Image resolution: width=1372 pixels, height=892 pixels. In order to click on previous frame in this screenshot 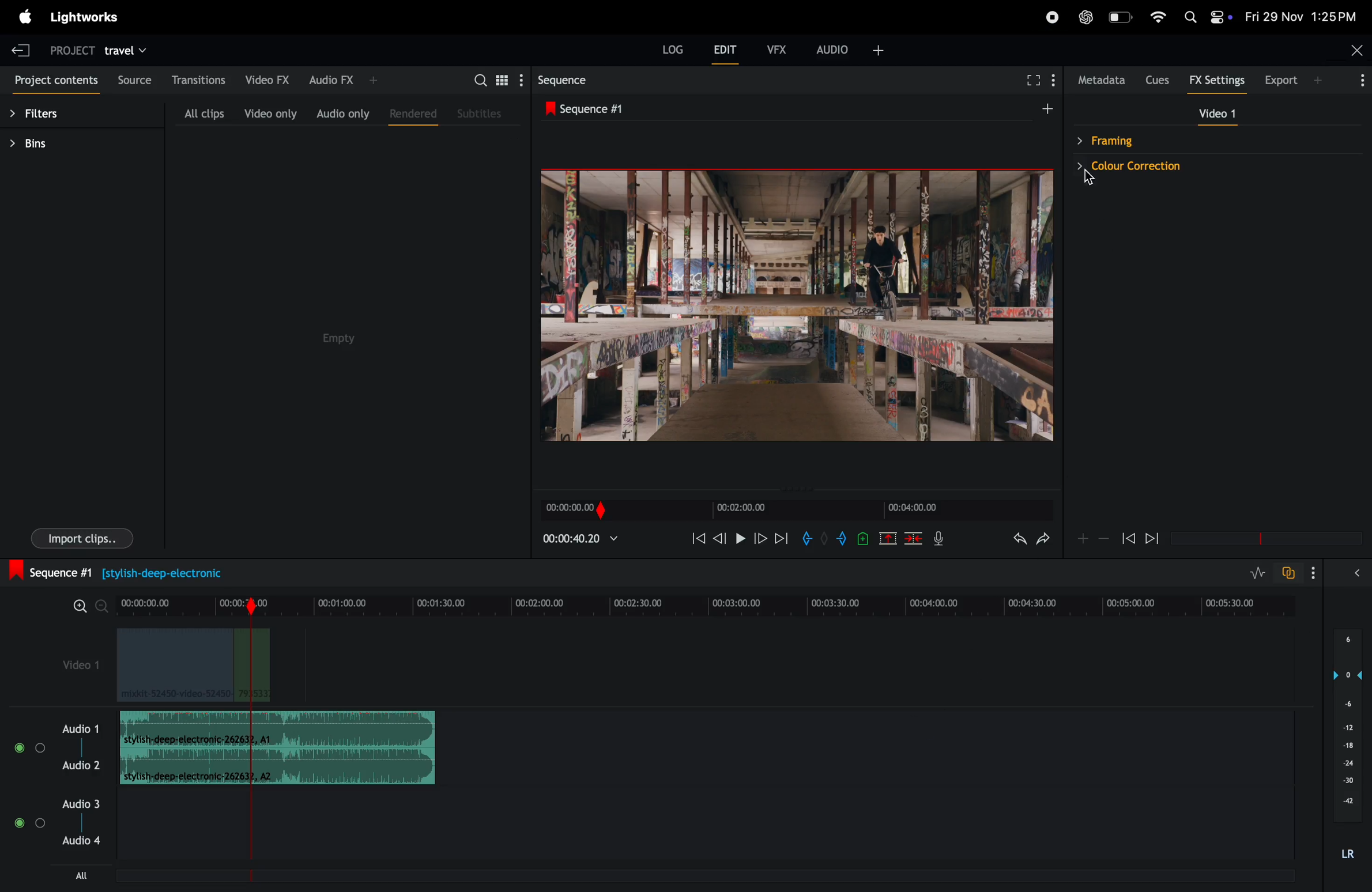, I will do `click(722, 537)`.